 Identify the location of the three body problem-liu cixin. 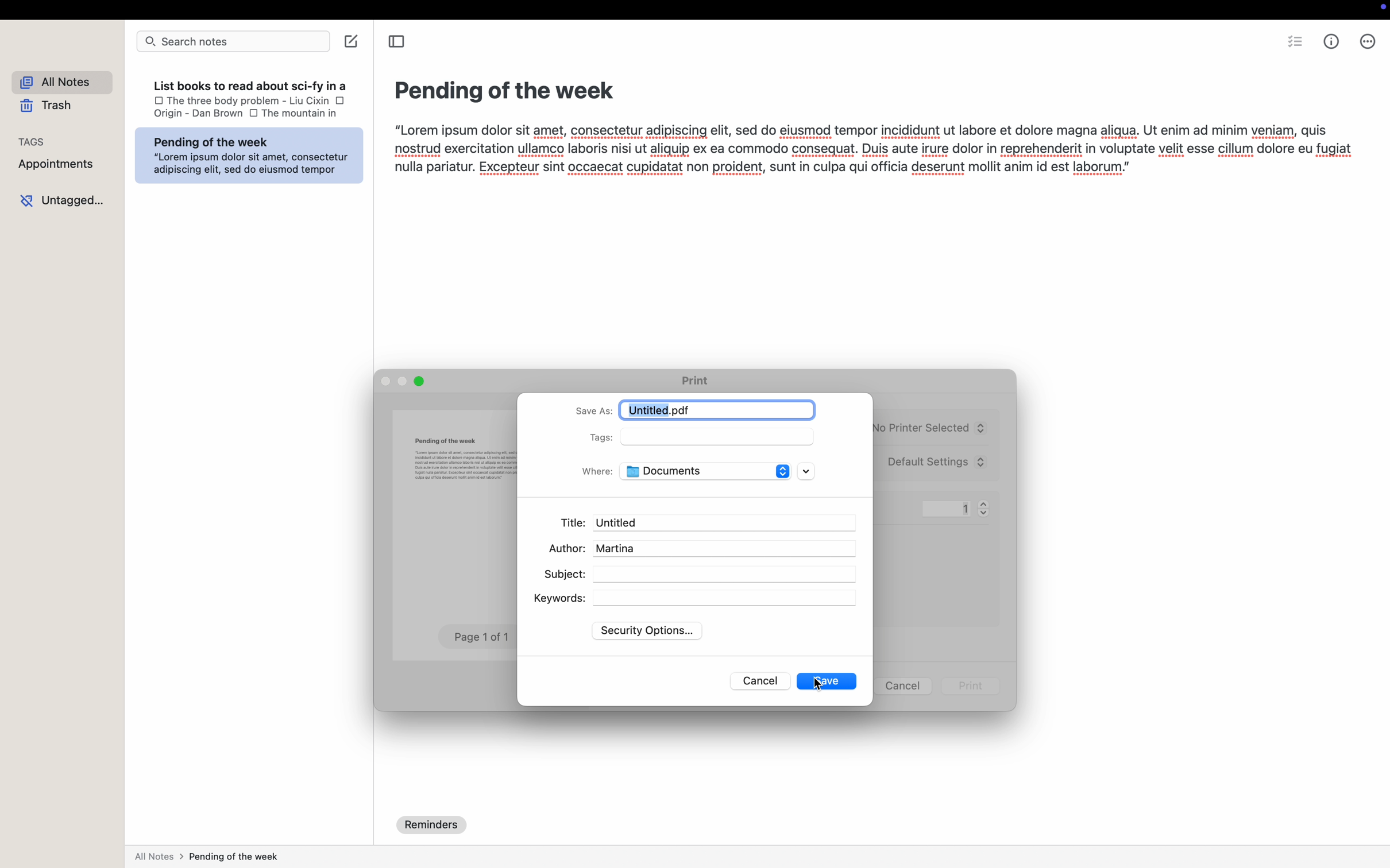
(249, 100).